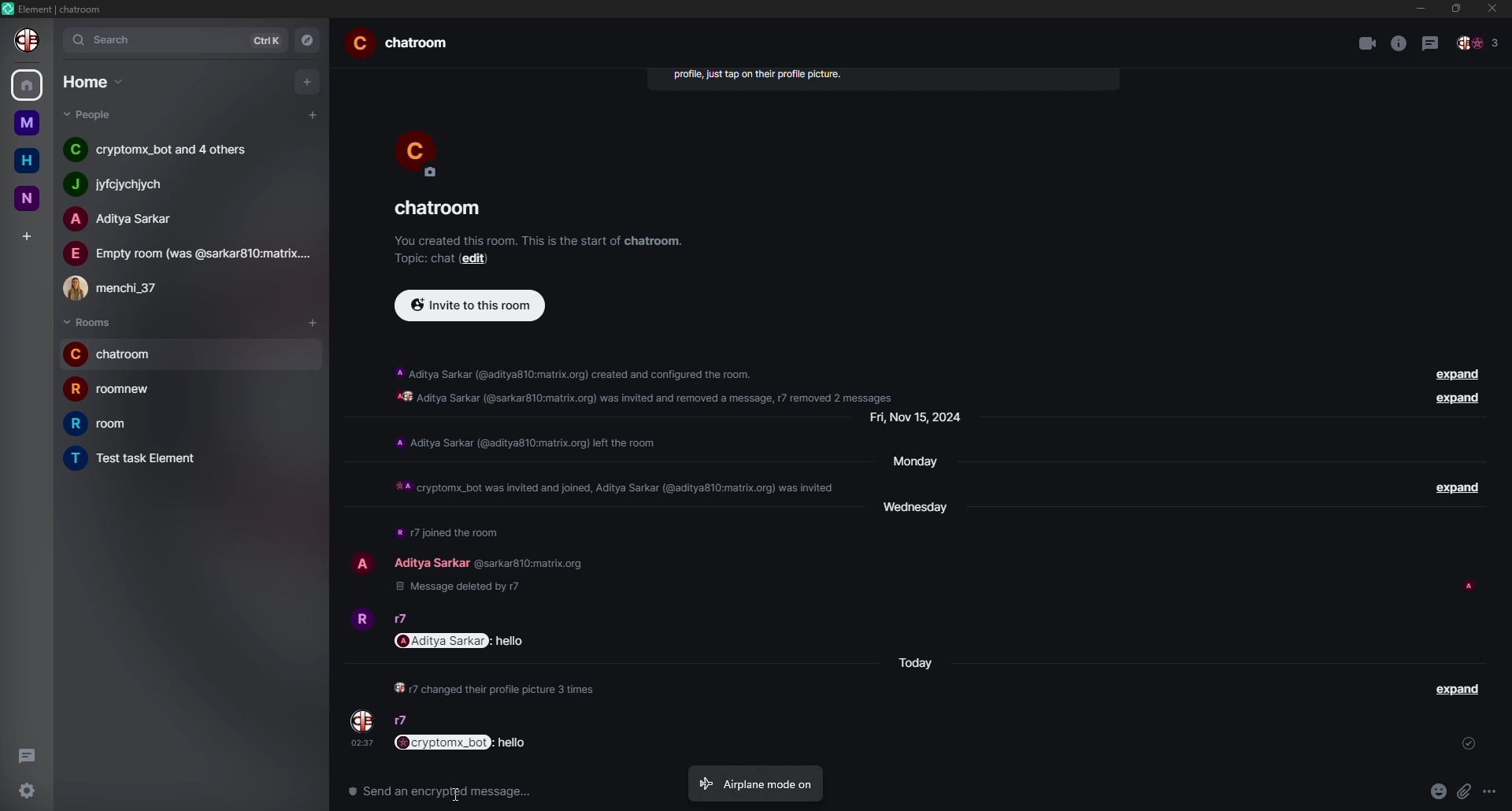 Image resolution: width=1512 pixels, height=811 pixels. I want to click on profile, so click(419, 152).